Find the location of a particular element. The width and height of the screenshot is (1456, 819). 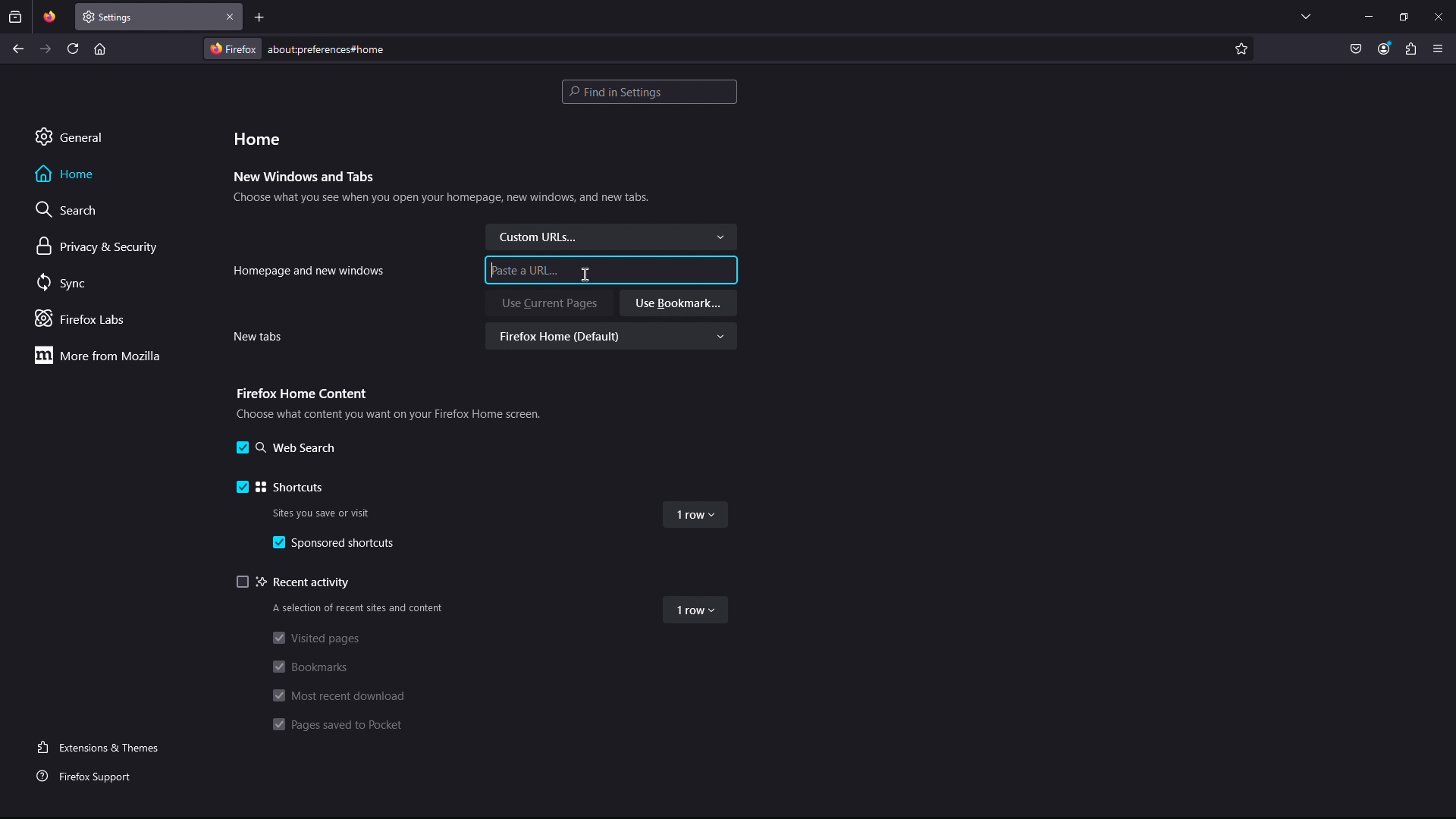

Firefox Home Content is located at coordinates (300, 392).